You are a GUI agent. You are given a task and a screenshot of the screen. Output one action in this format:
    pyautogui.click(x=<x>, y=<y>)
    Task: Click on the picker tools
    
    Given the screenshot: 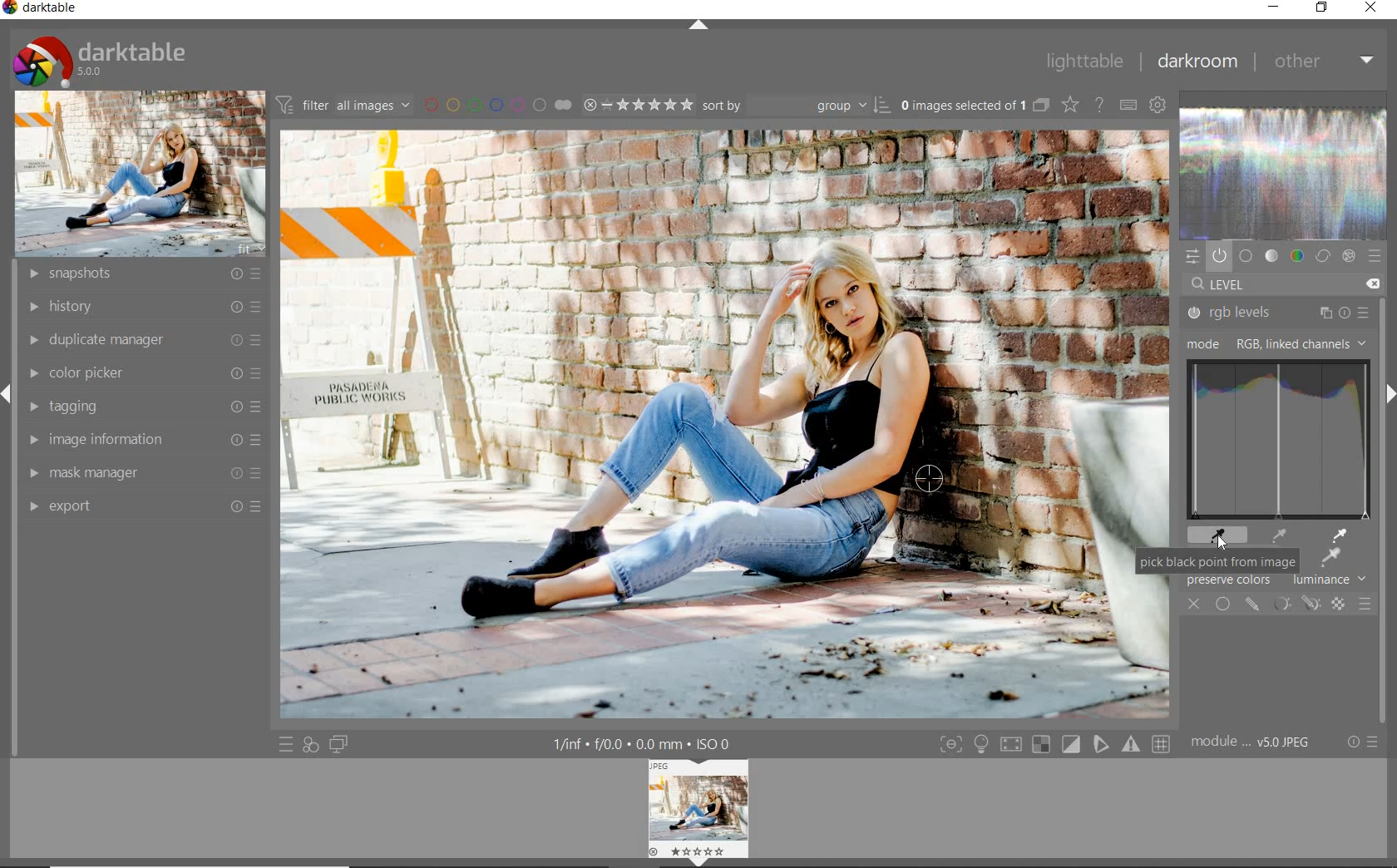 What is the action you would take?
    pyautogui.click(x=1310, y=535)
    